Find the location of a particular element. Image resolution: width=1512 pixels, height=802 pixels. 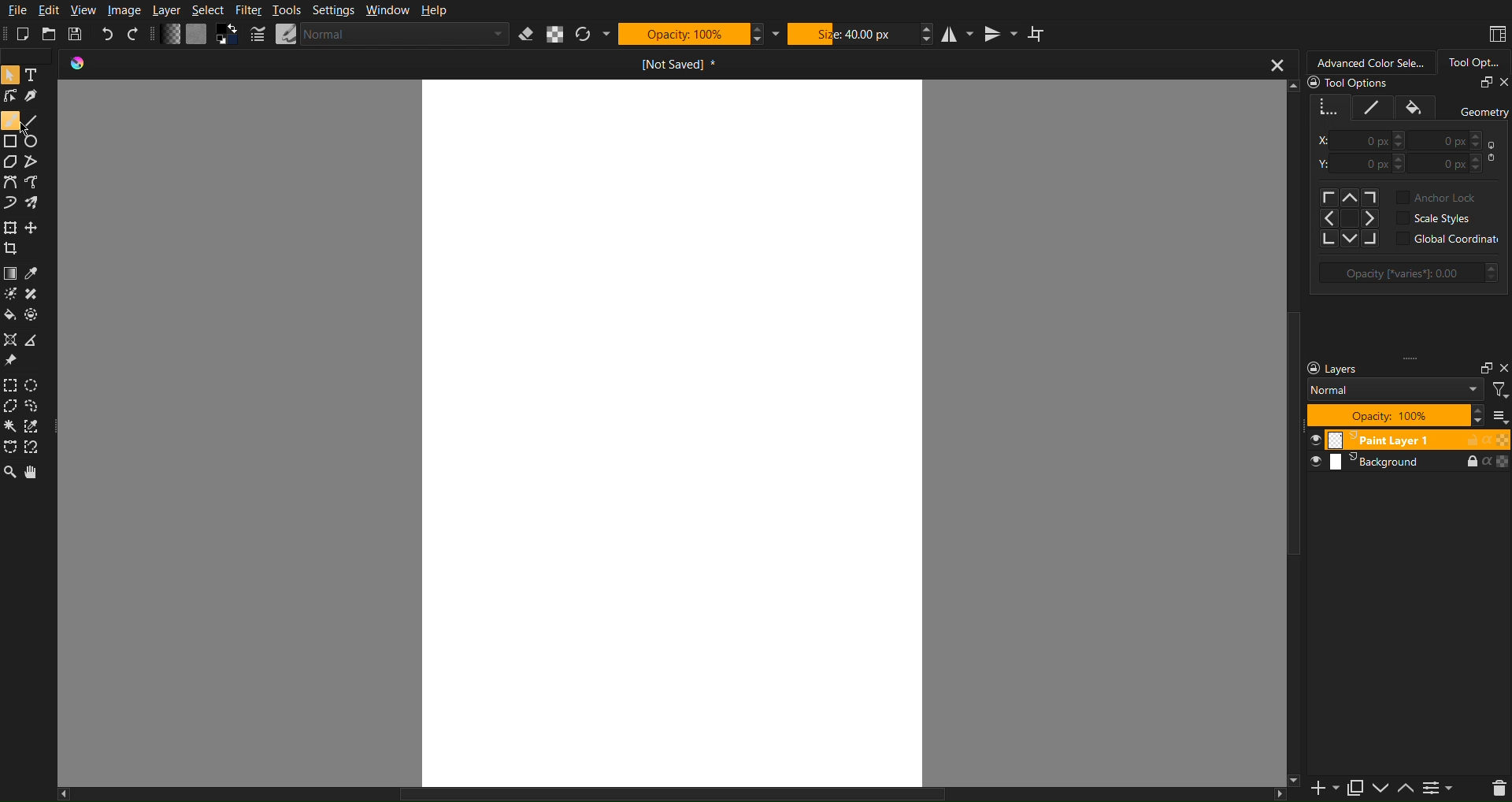

Geometry is located at coordinates (1329, 107).